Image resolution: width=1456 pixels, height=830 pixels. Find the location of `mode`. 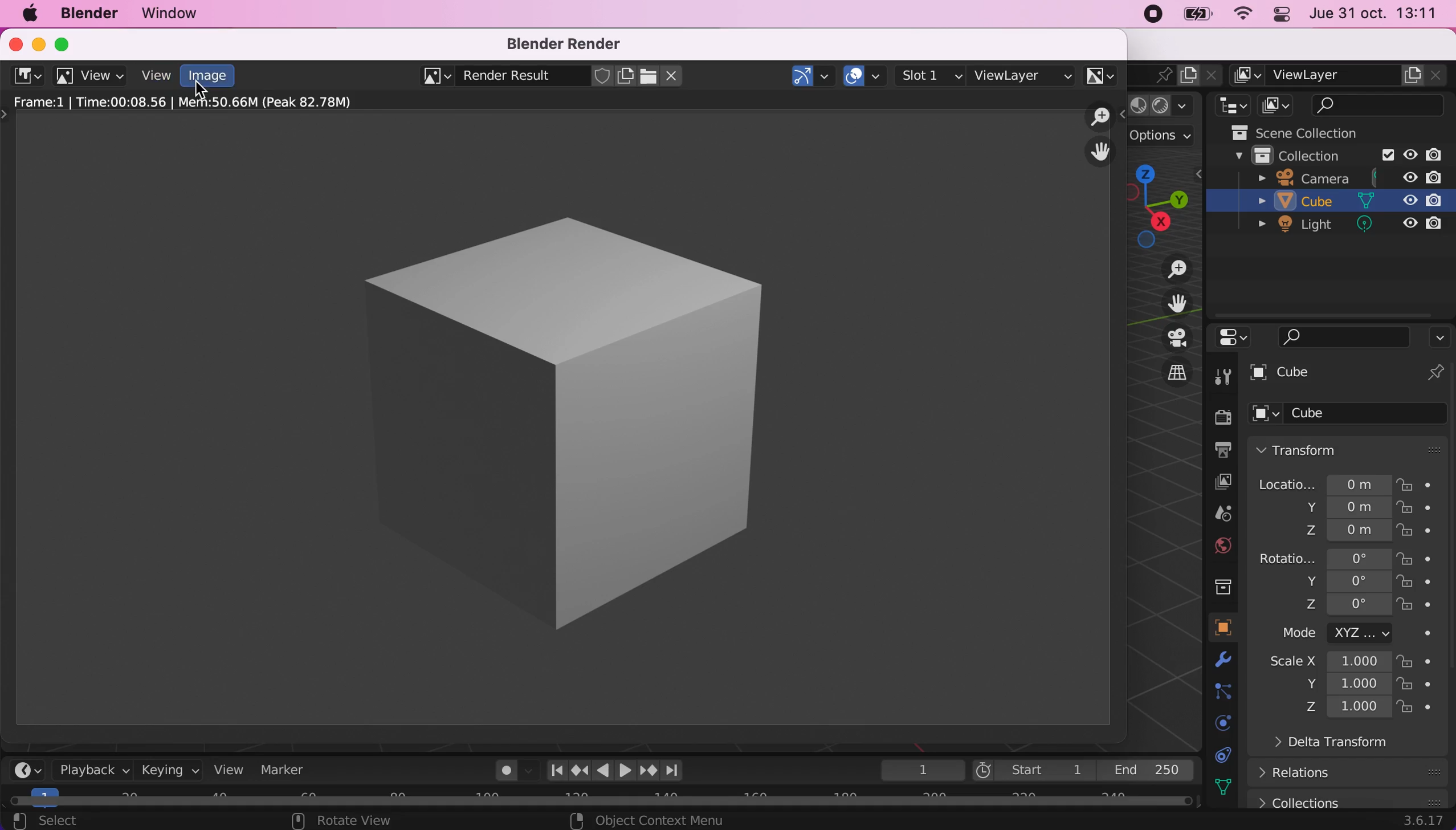

mode is located at coordinates (1335, 635).